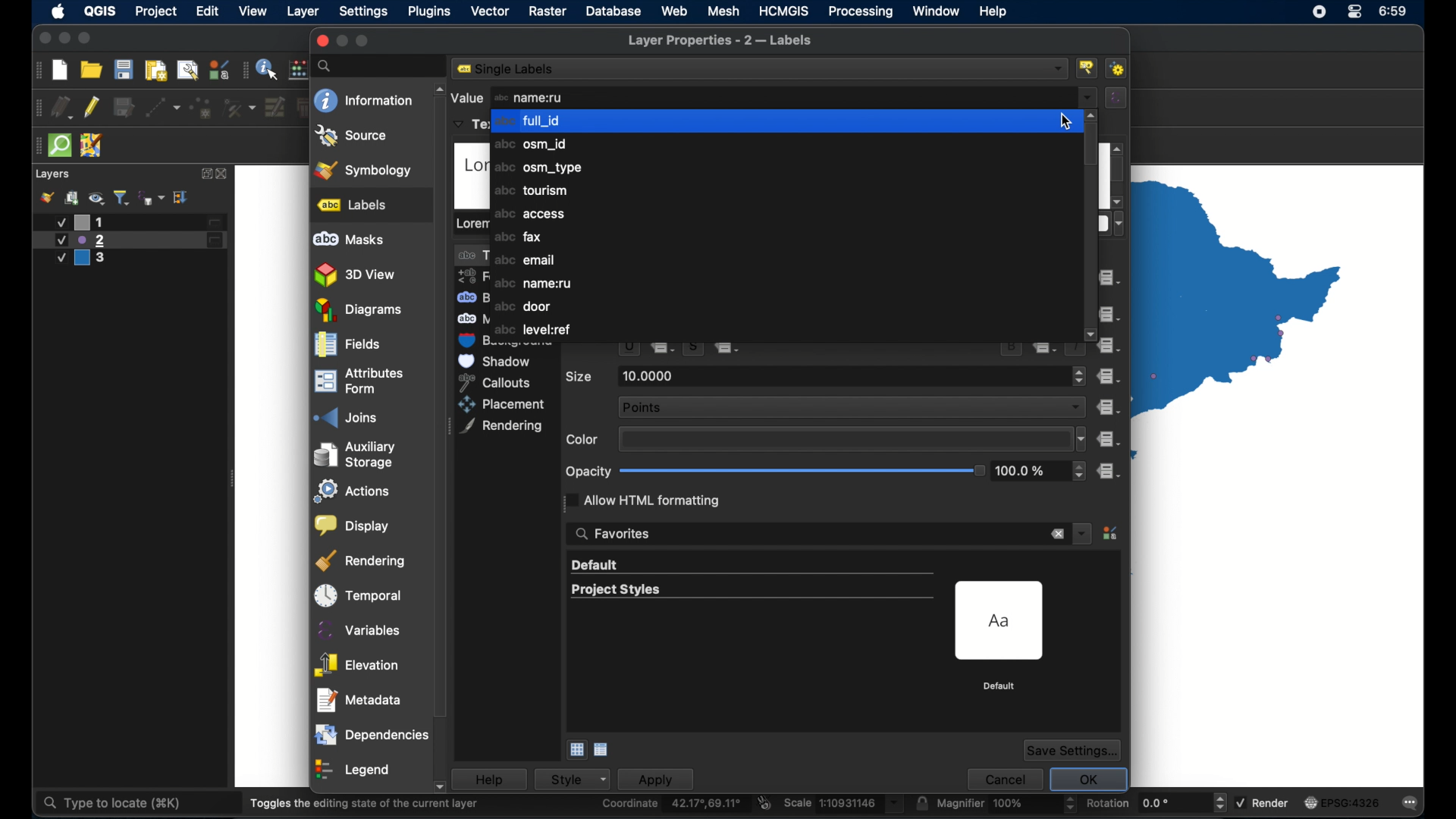 The height and width of the screenshot is (819, 1456). Describe the element at coordinates (59, 11) in the screenshot. I see `apple icon` at that location.